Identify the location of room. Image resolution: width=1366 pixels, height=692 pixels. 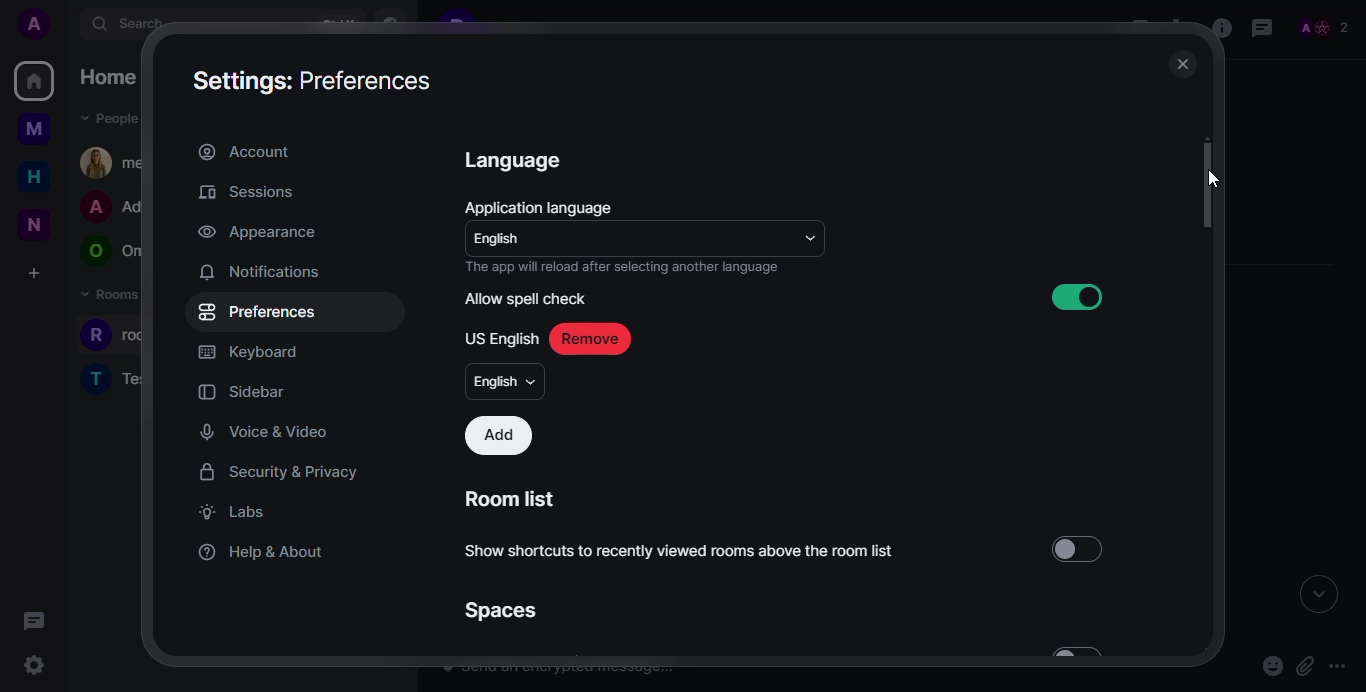
(127, 336).